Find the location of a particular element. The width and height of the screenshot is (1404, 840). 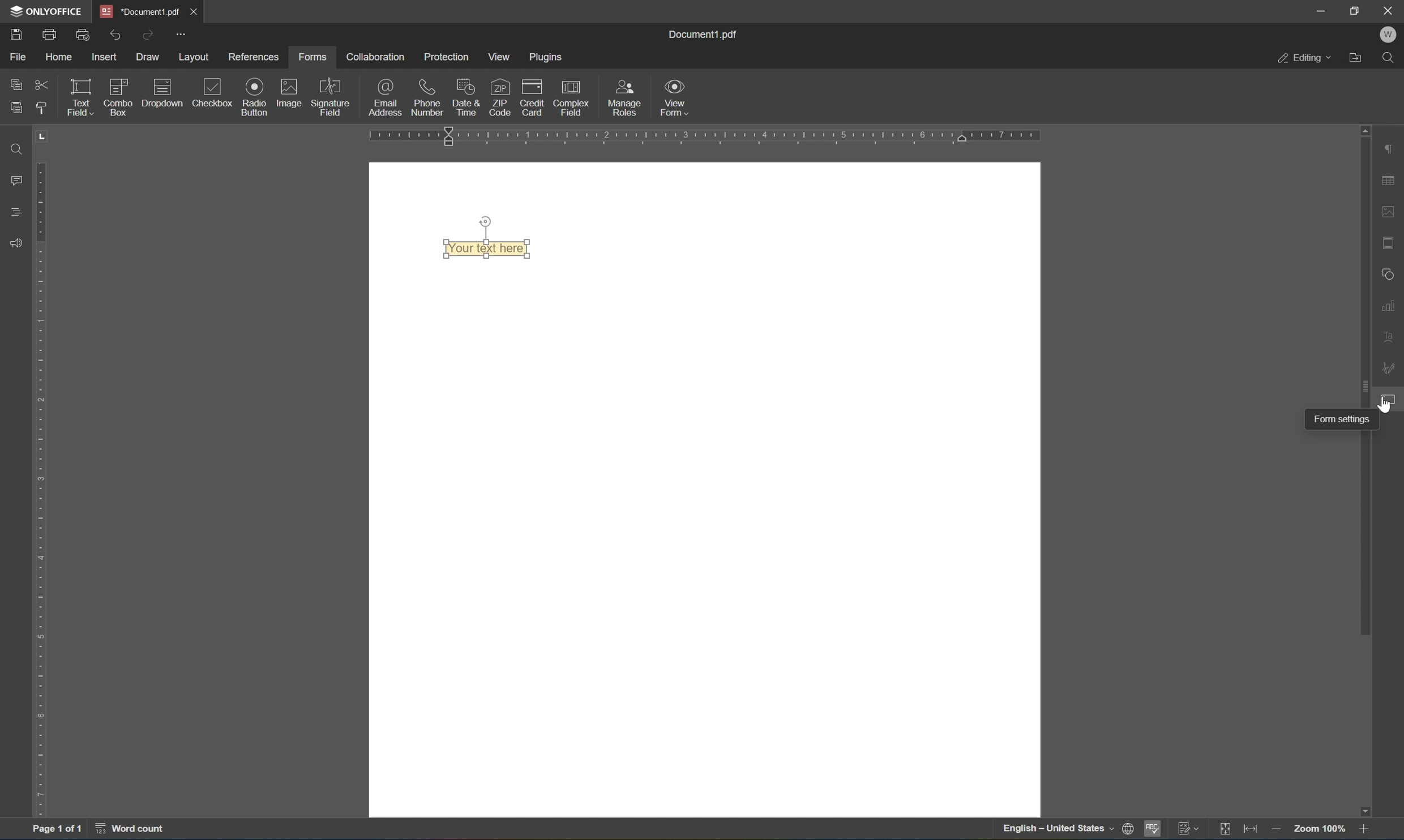

draw is located at coordinates (149, 58).